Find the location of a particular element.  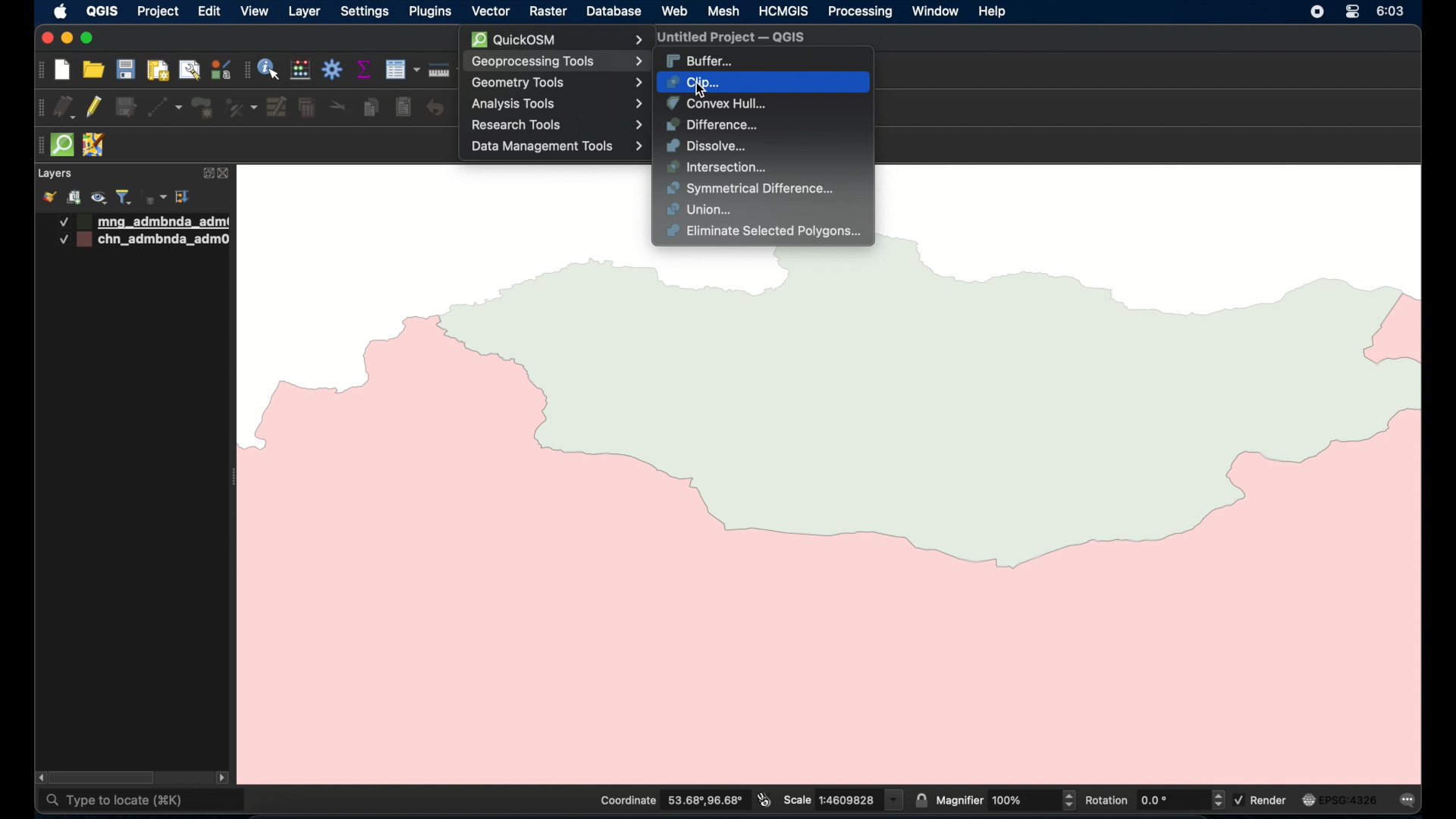

layer 2 is located at coordinates (146, 240).